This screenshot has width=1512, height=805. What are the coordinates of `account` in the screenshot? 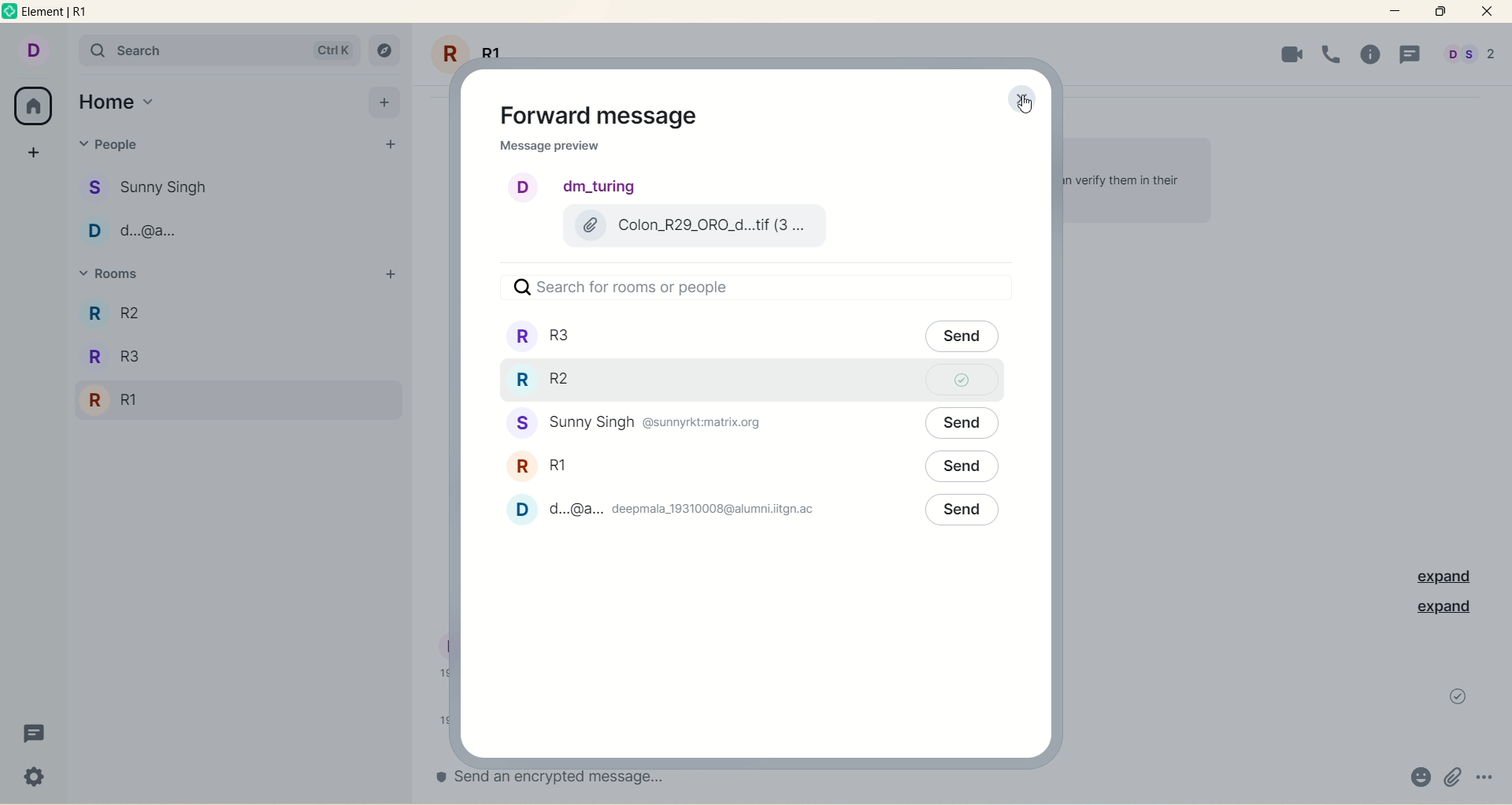 It's located at (576, 187).